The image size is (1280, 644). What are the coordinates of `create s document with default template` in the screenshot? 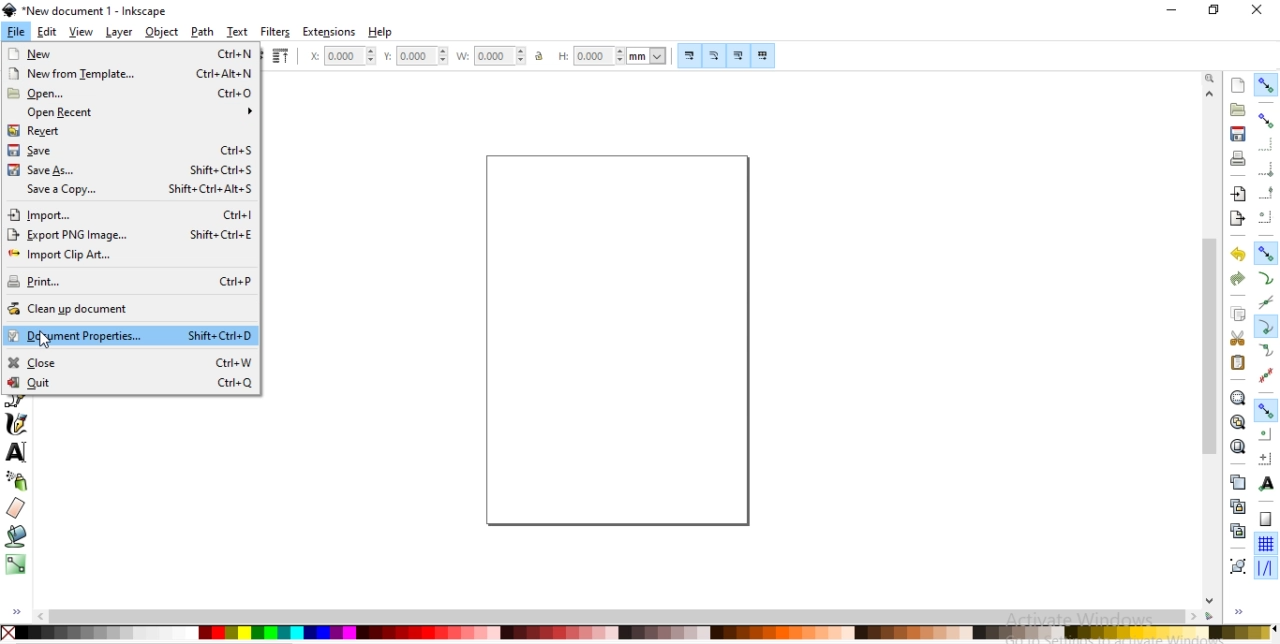 It's located at (1239, 84).